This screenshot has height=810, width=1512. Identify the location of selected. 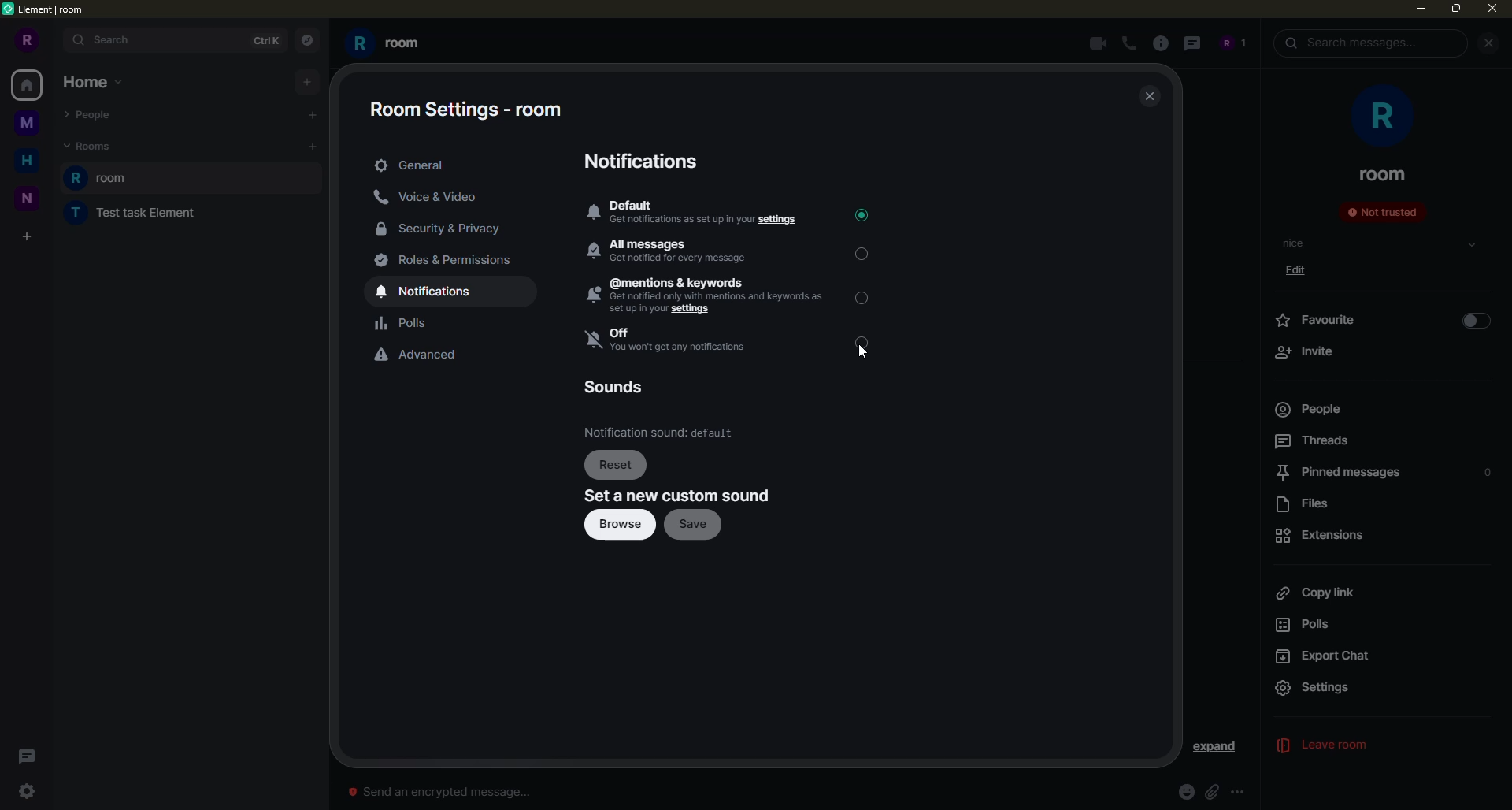
(862, 214).